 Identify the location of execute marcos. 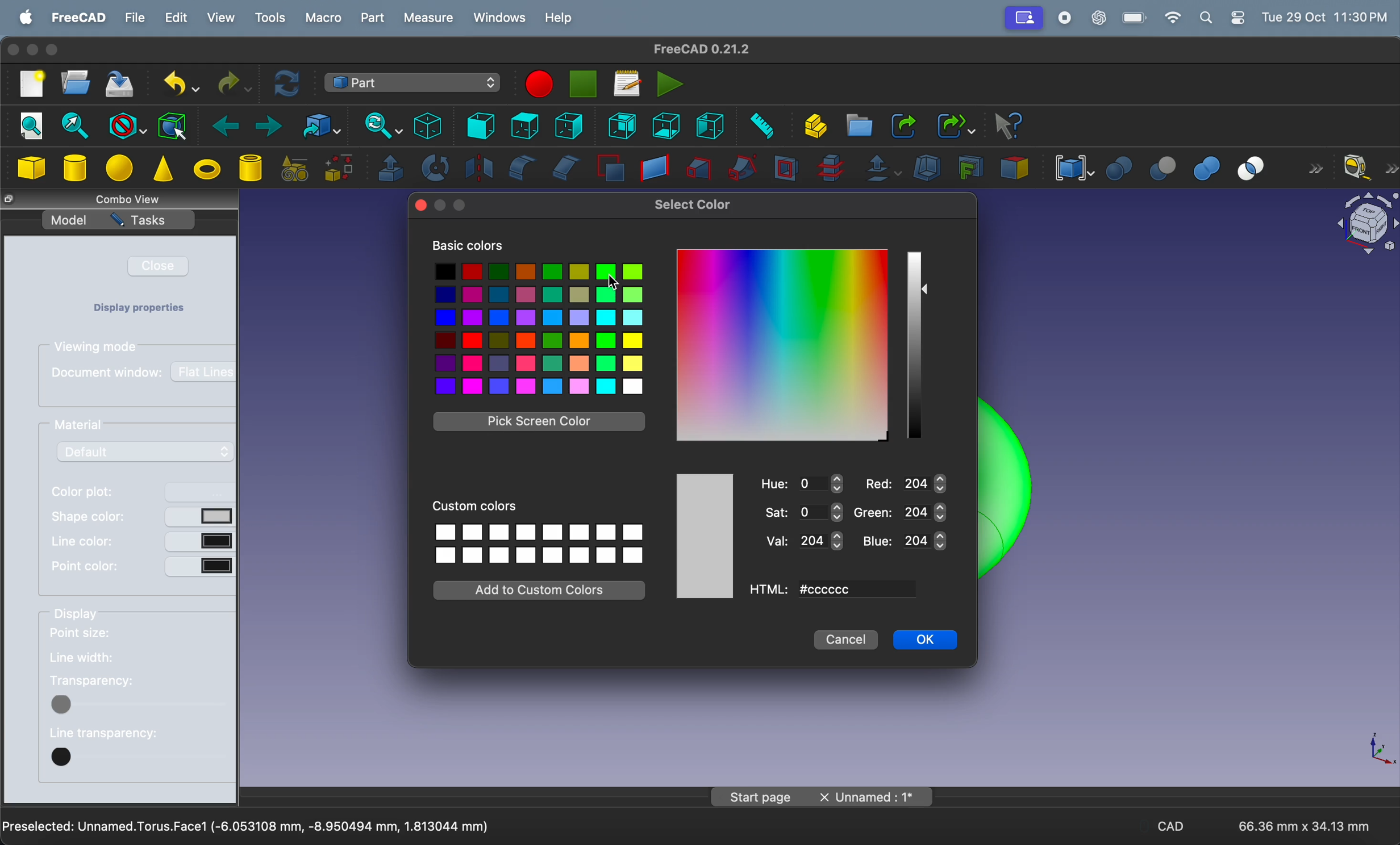
(670, 83).